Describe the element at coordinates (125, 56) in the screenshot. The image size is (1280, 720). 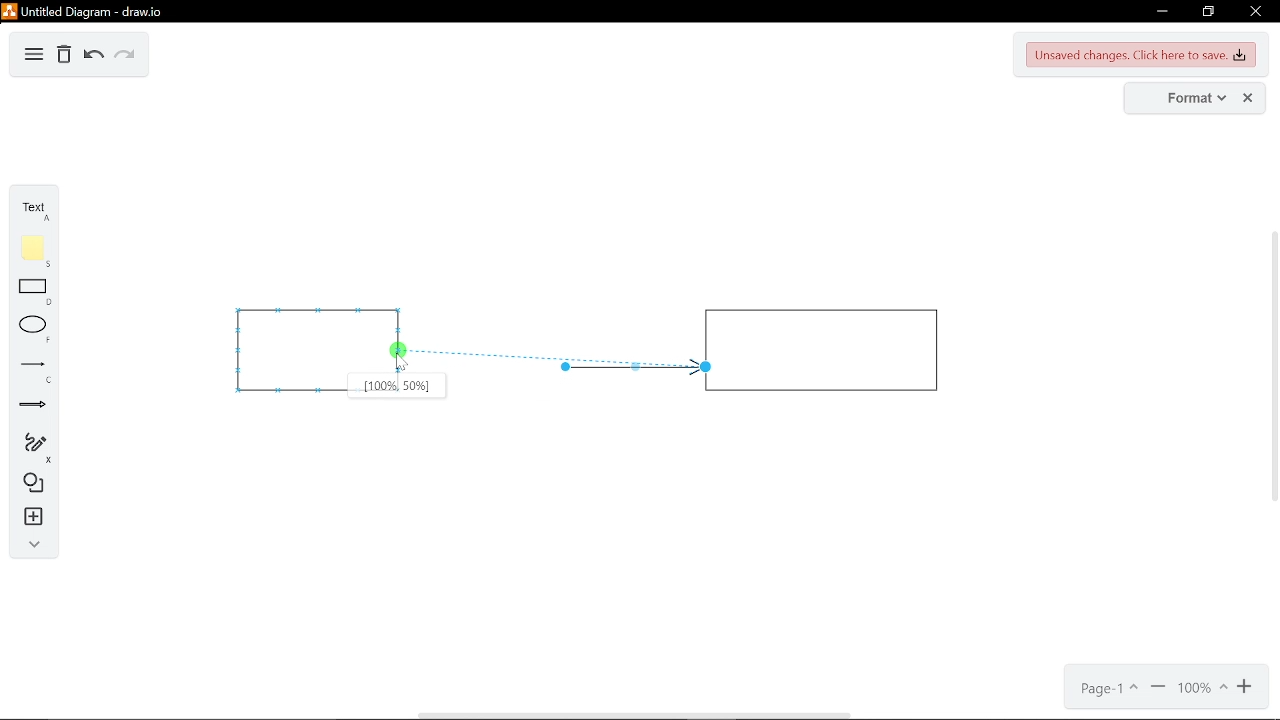
I see `redo` at that location.